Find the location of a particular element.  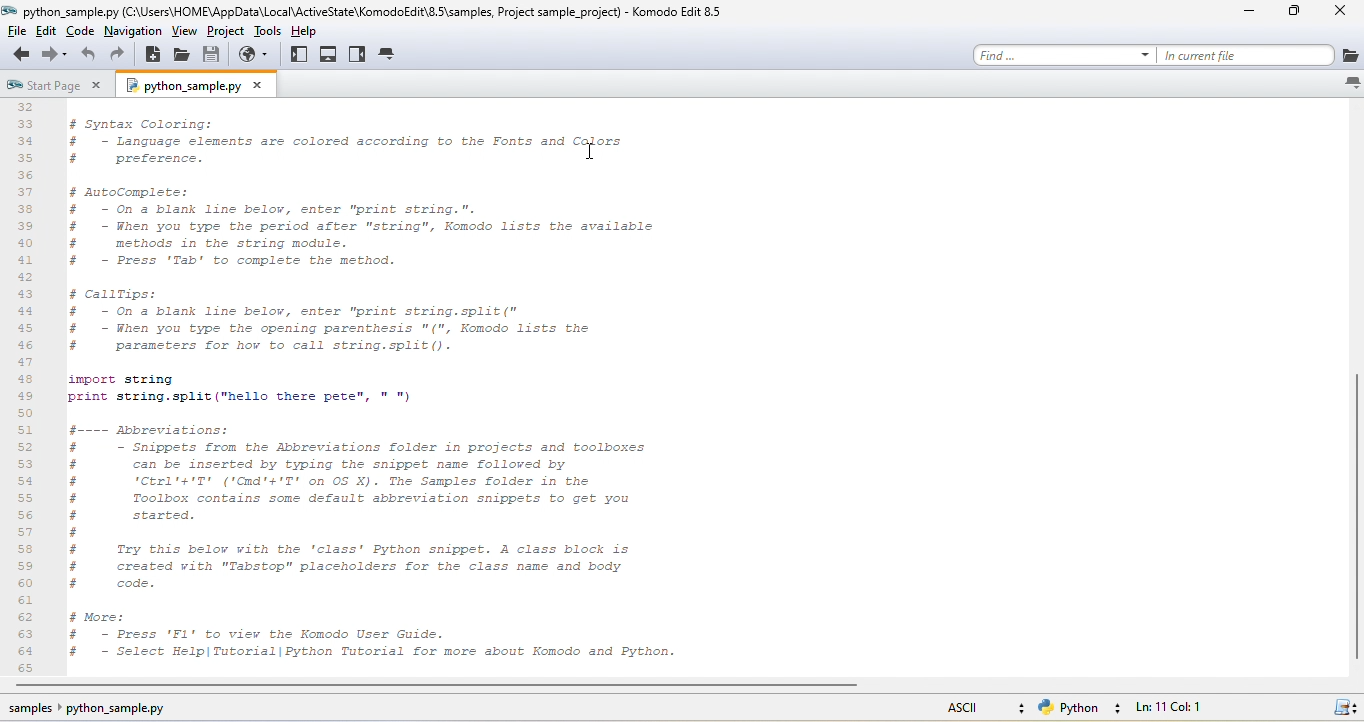

redo is located at coordinates (122, 57).